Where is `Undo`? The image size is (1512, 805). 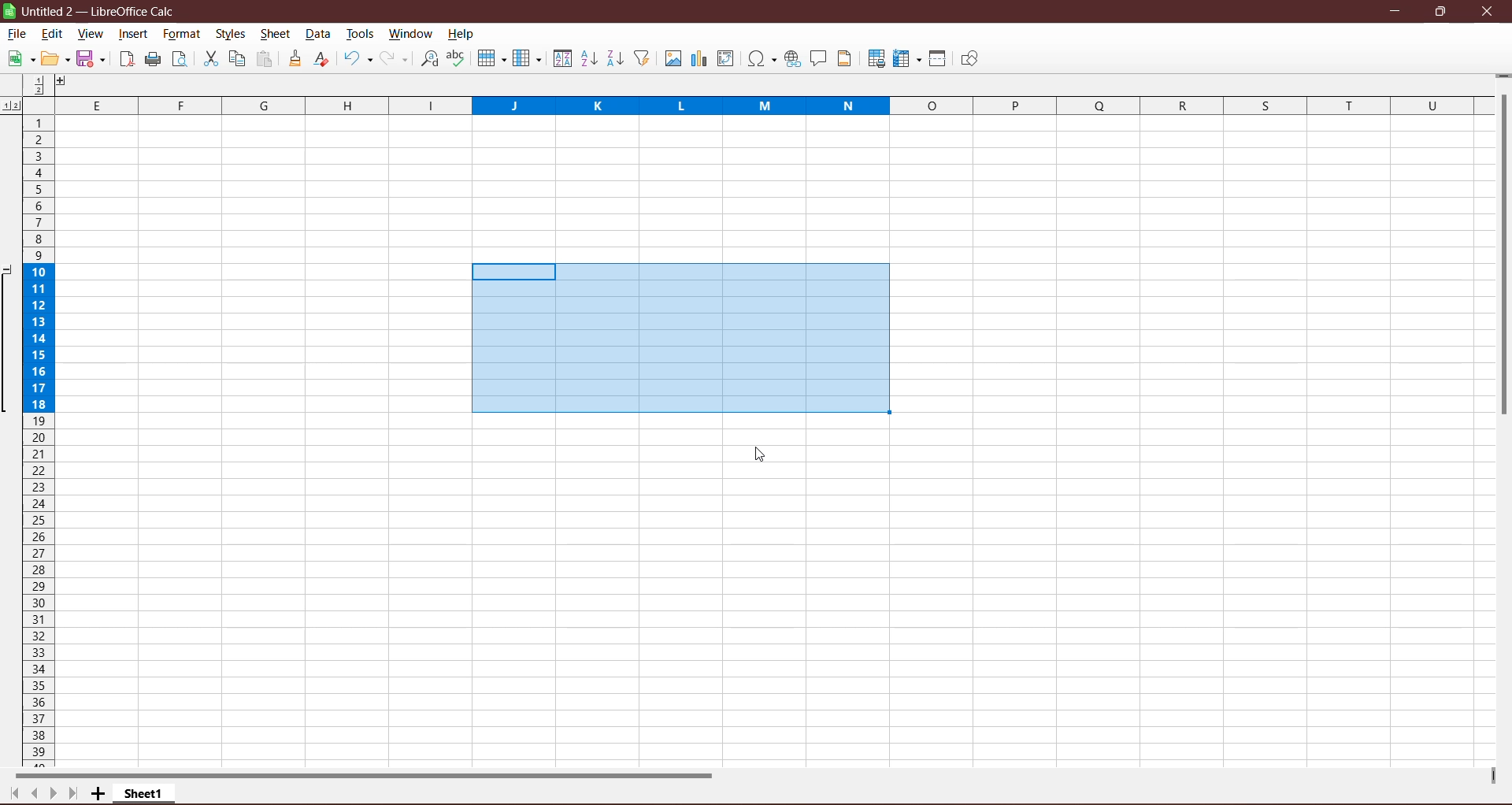
Undo is located at coordinates (358, 60).